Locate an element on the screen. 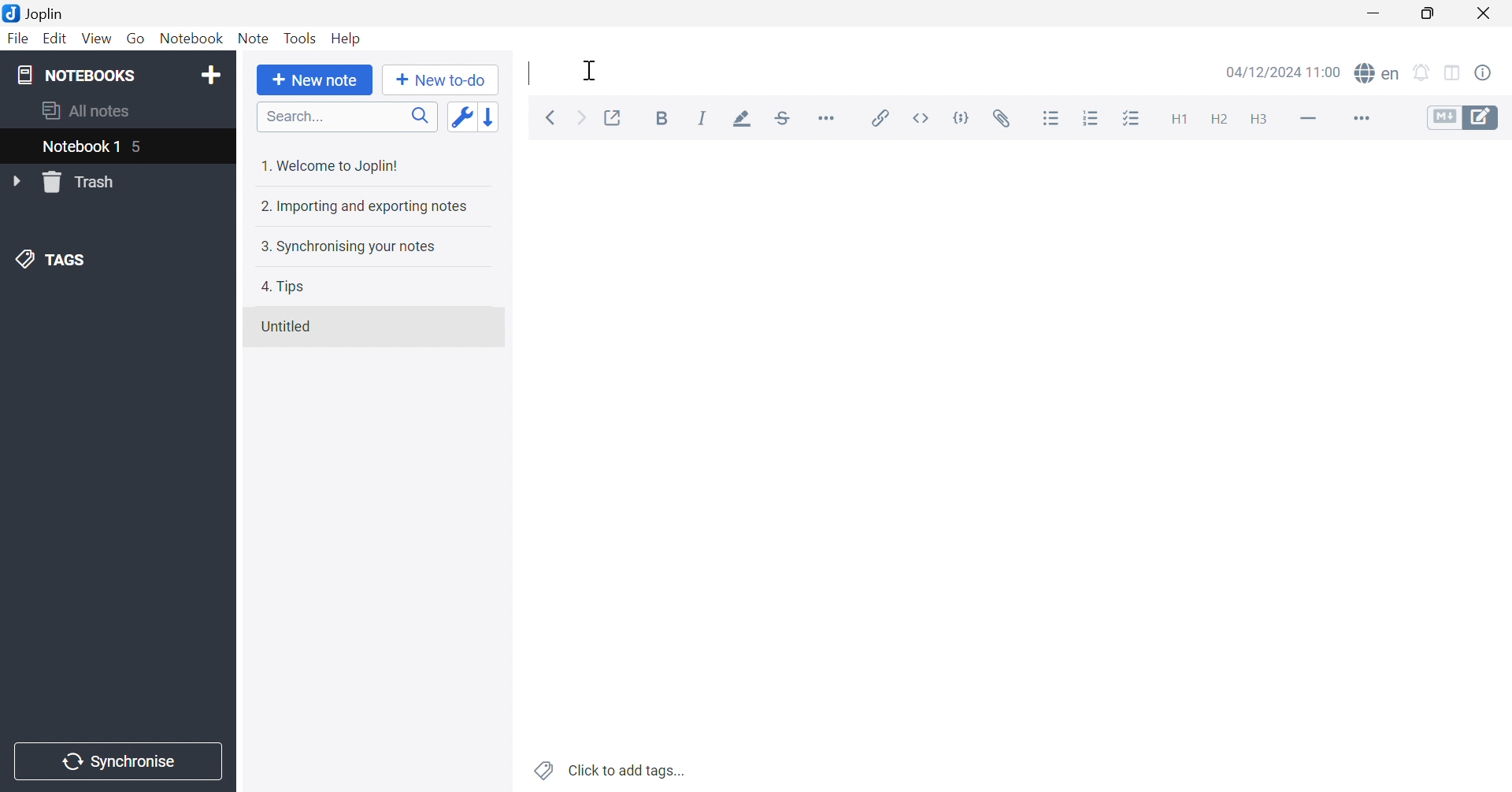 The width and height of the screenshot is (1512, 792). Numbered list is located at coordinates (1092, 120).